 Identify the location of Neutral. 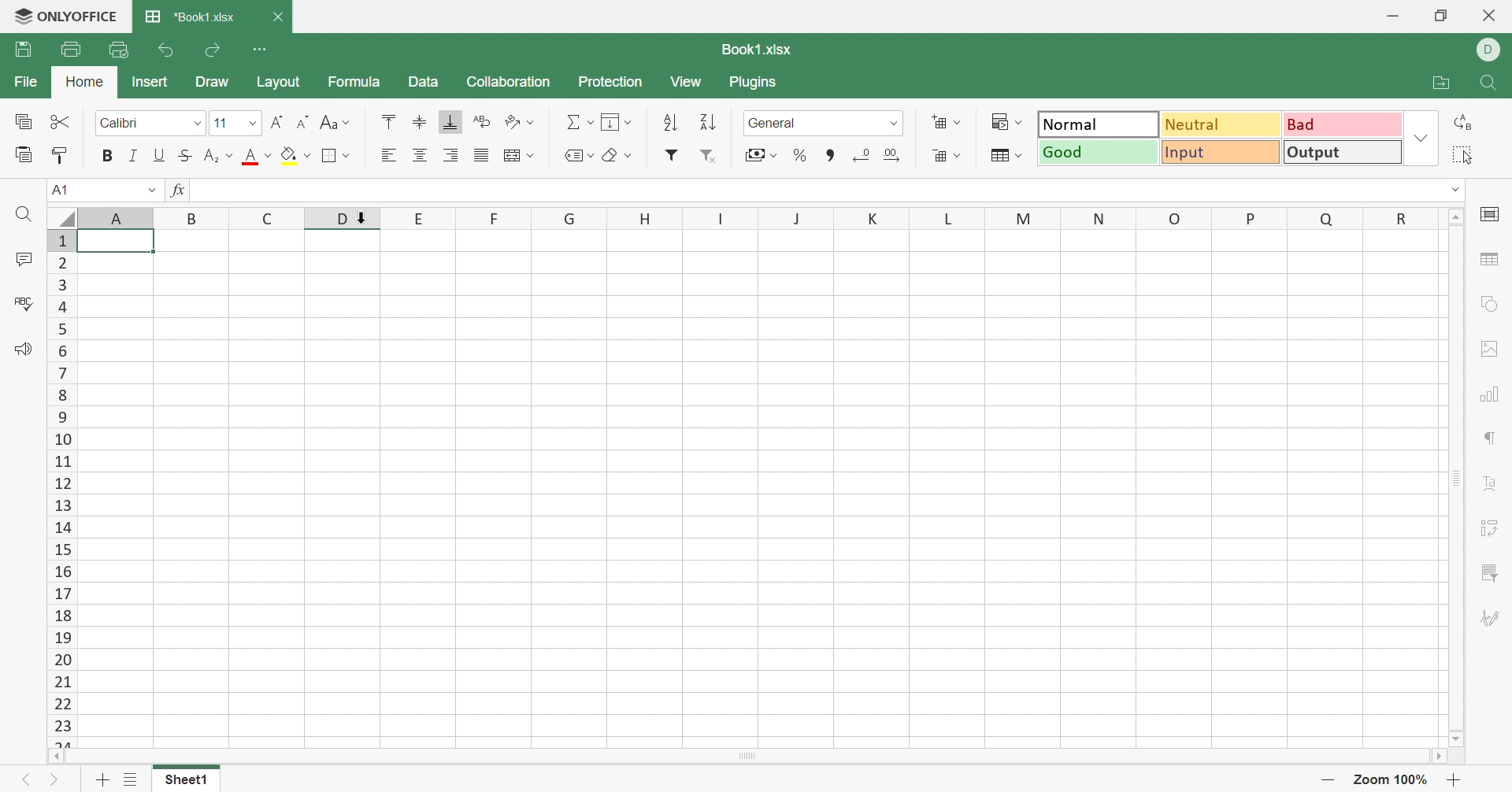
(1222, 126).